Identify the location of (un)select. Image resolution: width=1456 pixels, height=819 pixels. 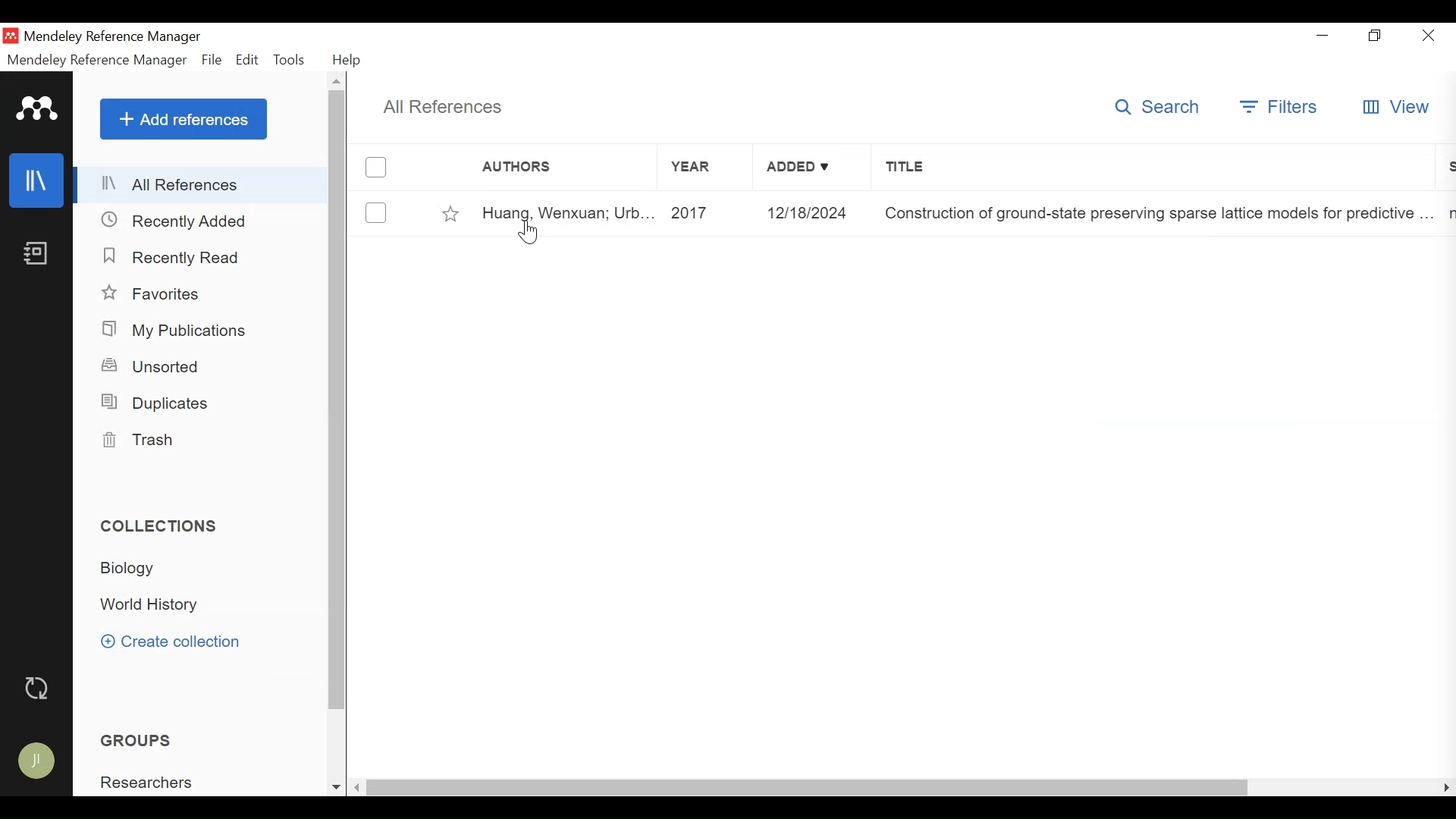
(375, 213).